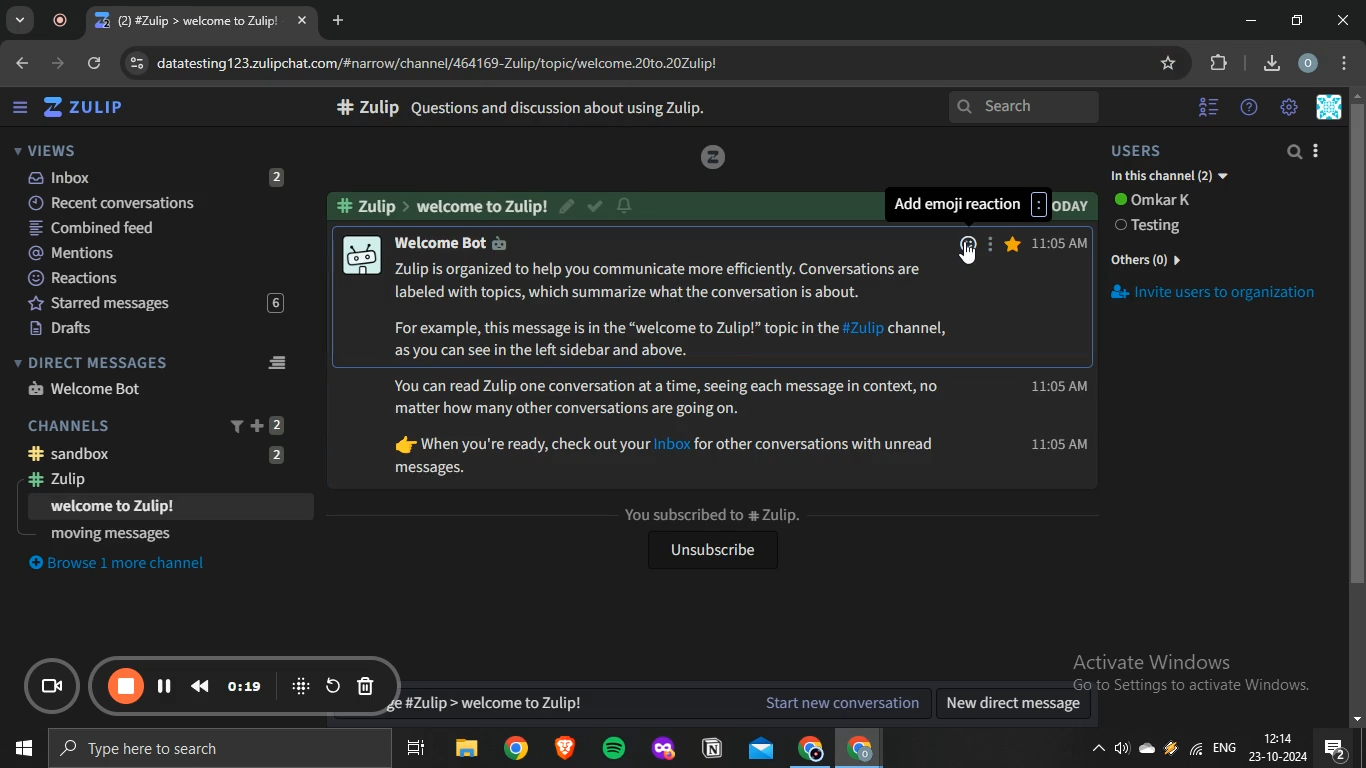 The width and height of the screenshot is (1366, 768). I want to click on show hidden icons, so click(1097, 754).